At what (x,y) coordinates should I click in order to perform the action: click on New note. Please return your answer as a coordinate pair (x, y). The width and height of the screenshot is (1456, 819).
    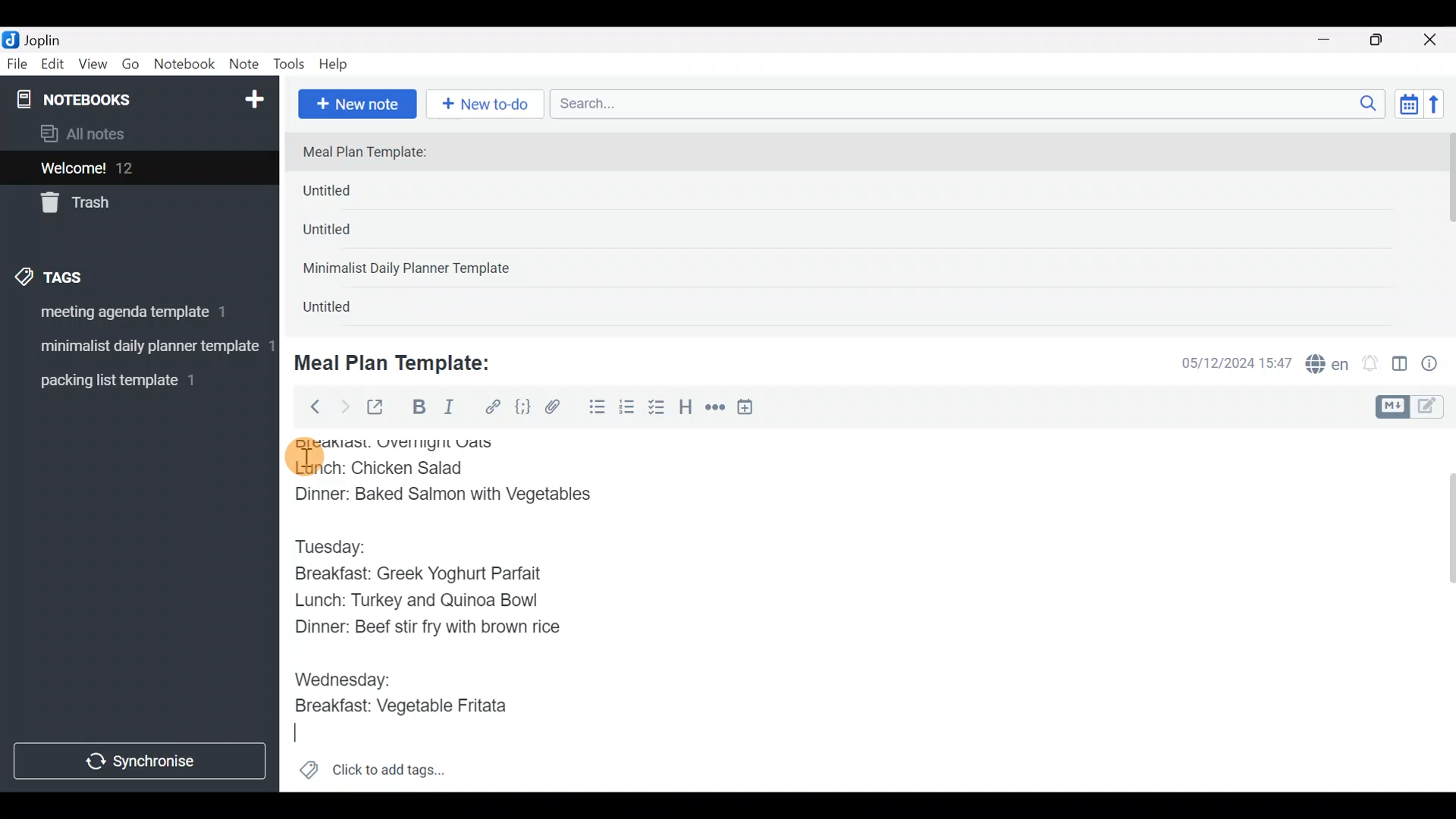
    Looking at the image, I should click on (356, 102).